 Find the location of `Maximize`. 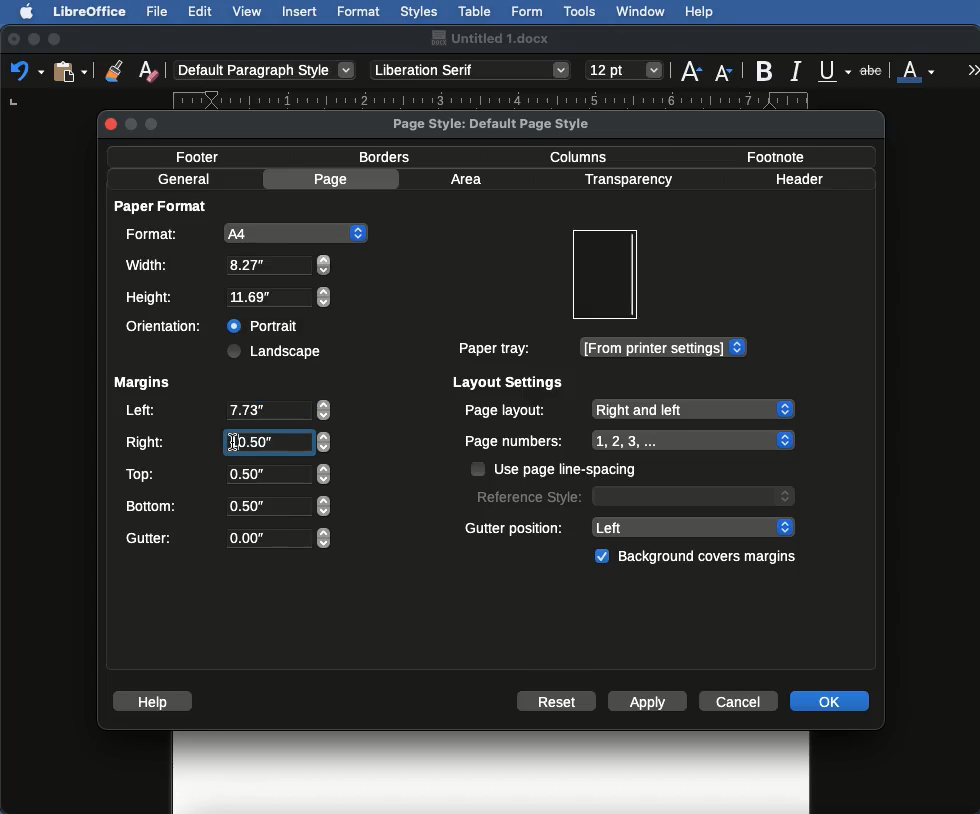

Maximize is located at coordinates (56, 39).